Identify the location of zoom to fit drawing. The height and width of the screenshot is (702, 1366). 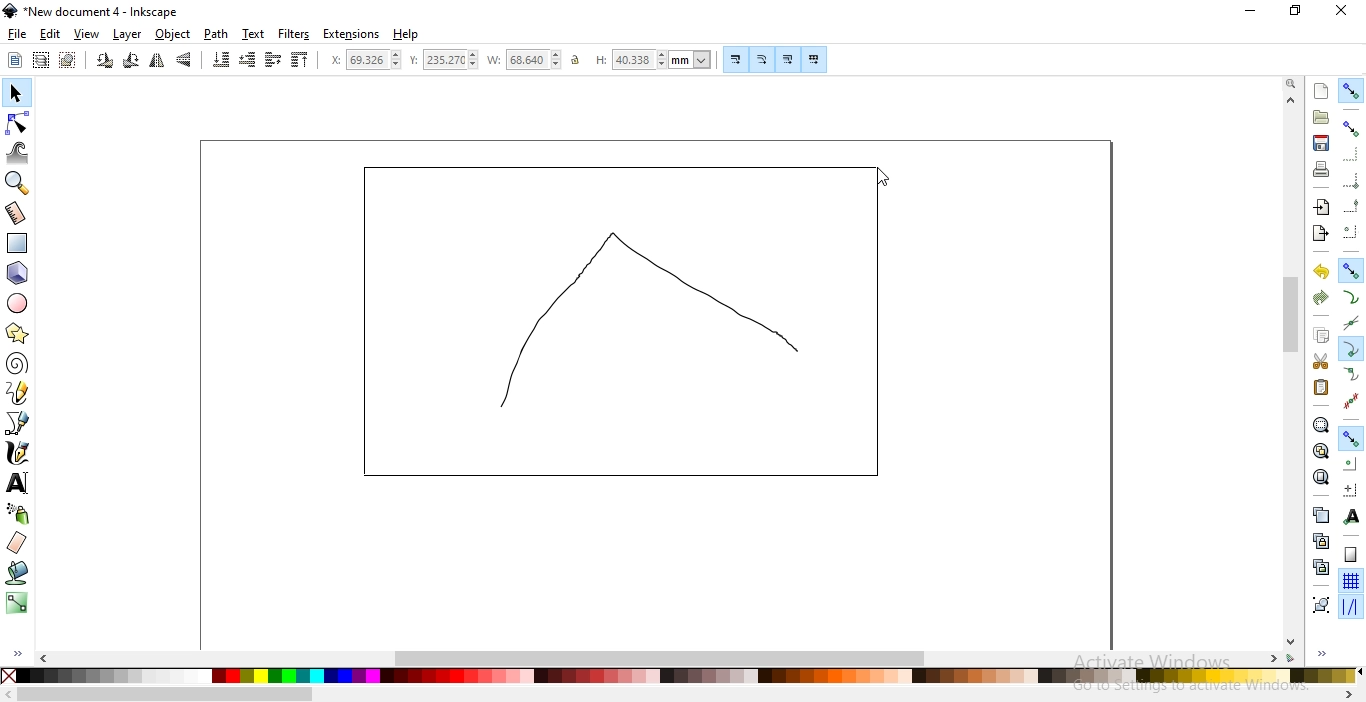
(1320, 449).